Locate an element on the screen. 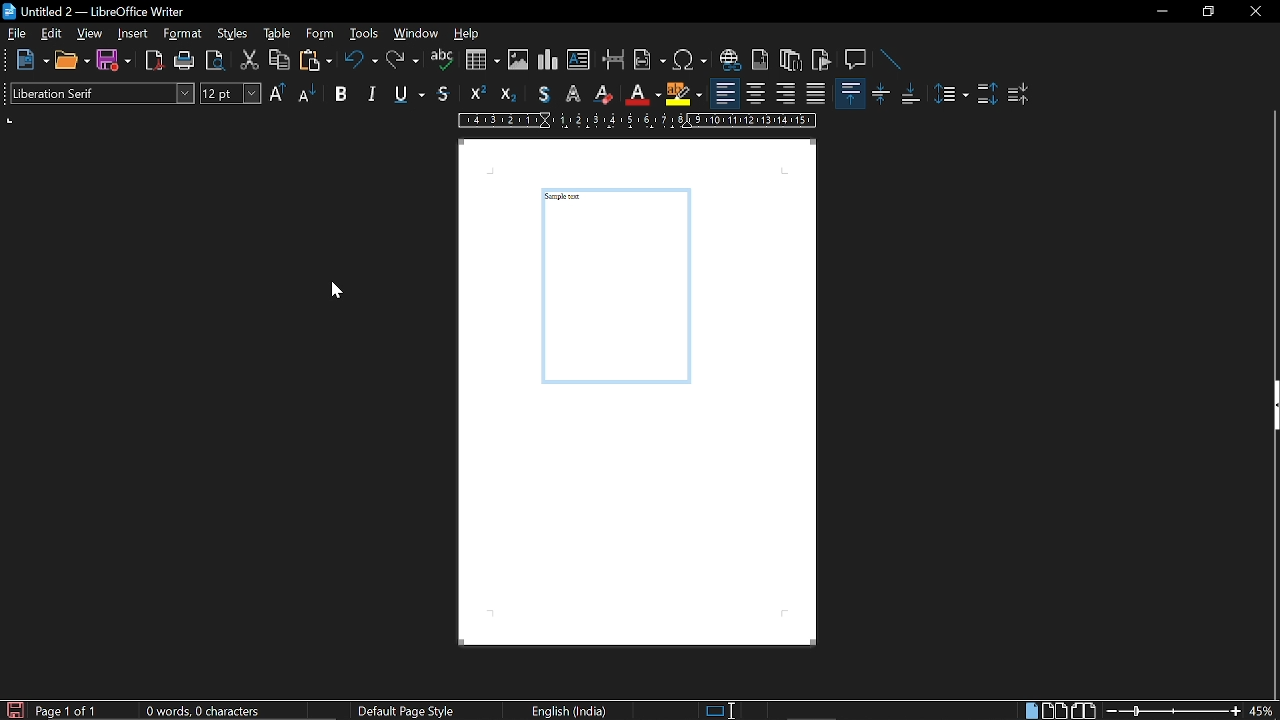 This screenshot has width=1280, height=720. Paragraph style 2 is located at coordinates (1020, 95).